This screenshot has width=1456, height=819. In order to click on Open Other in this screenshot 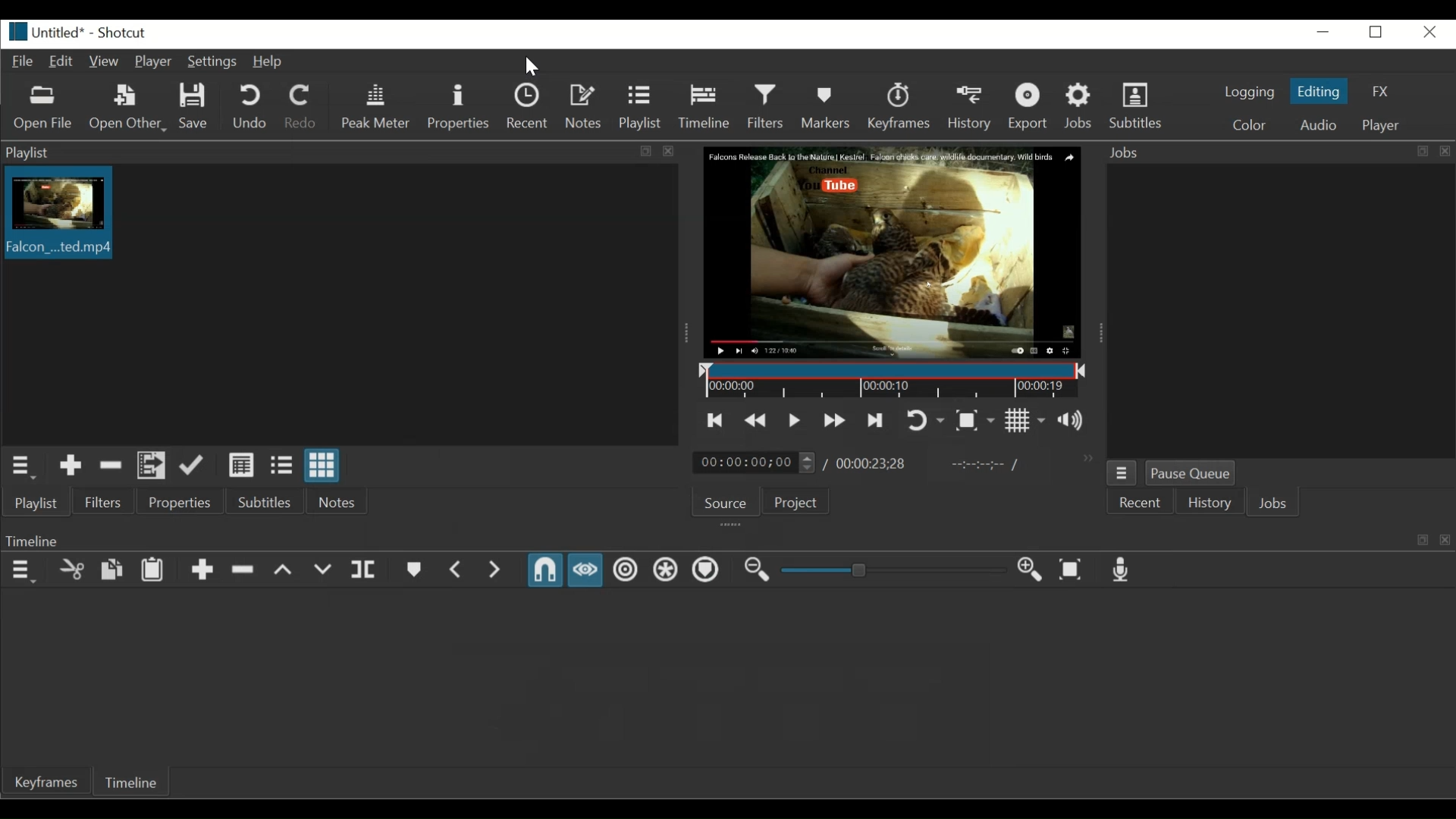, I will do `click(128, 108)`.